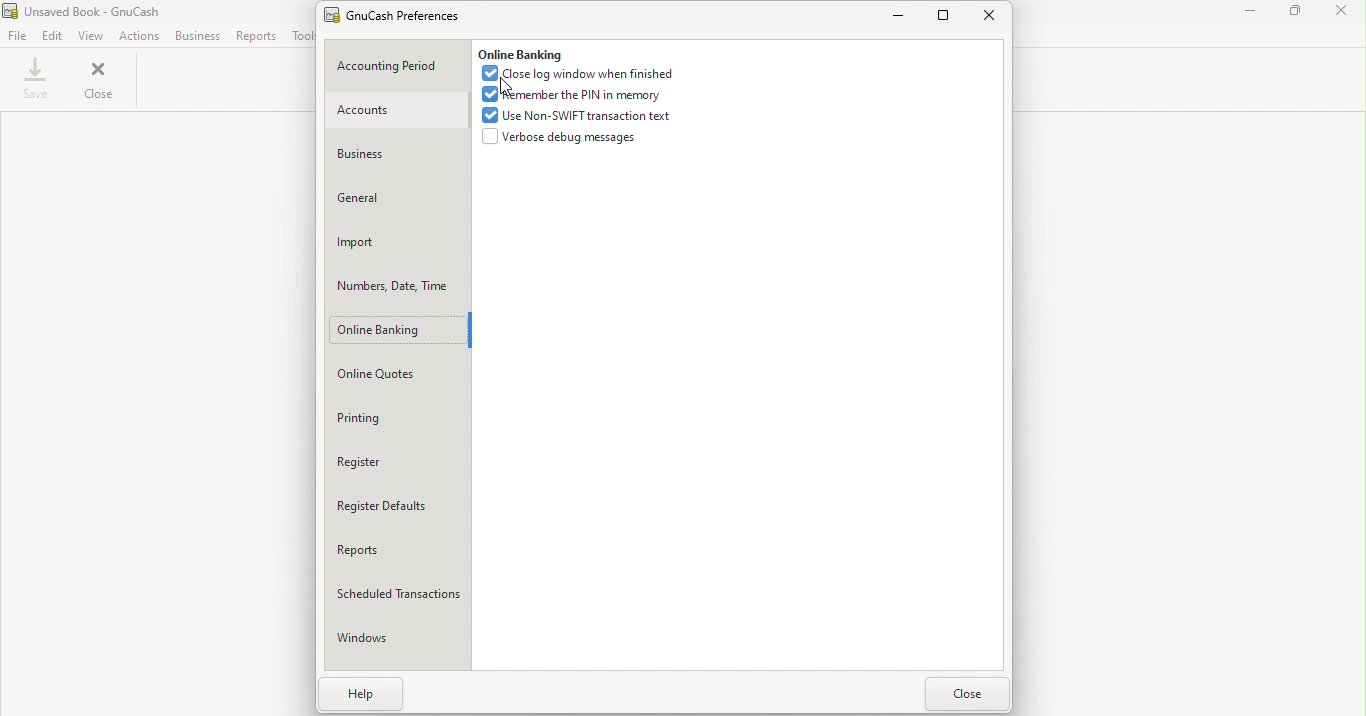  Describe the element at coordinates (254, 36) in the screenshot. I see `Reports` at that location.